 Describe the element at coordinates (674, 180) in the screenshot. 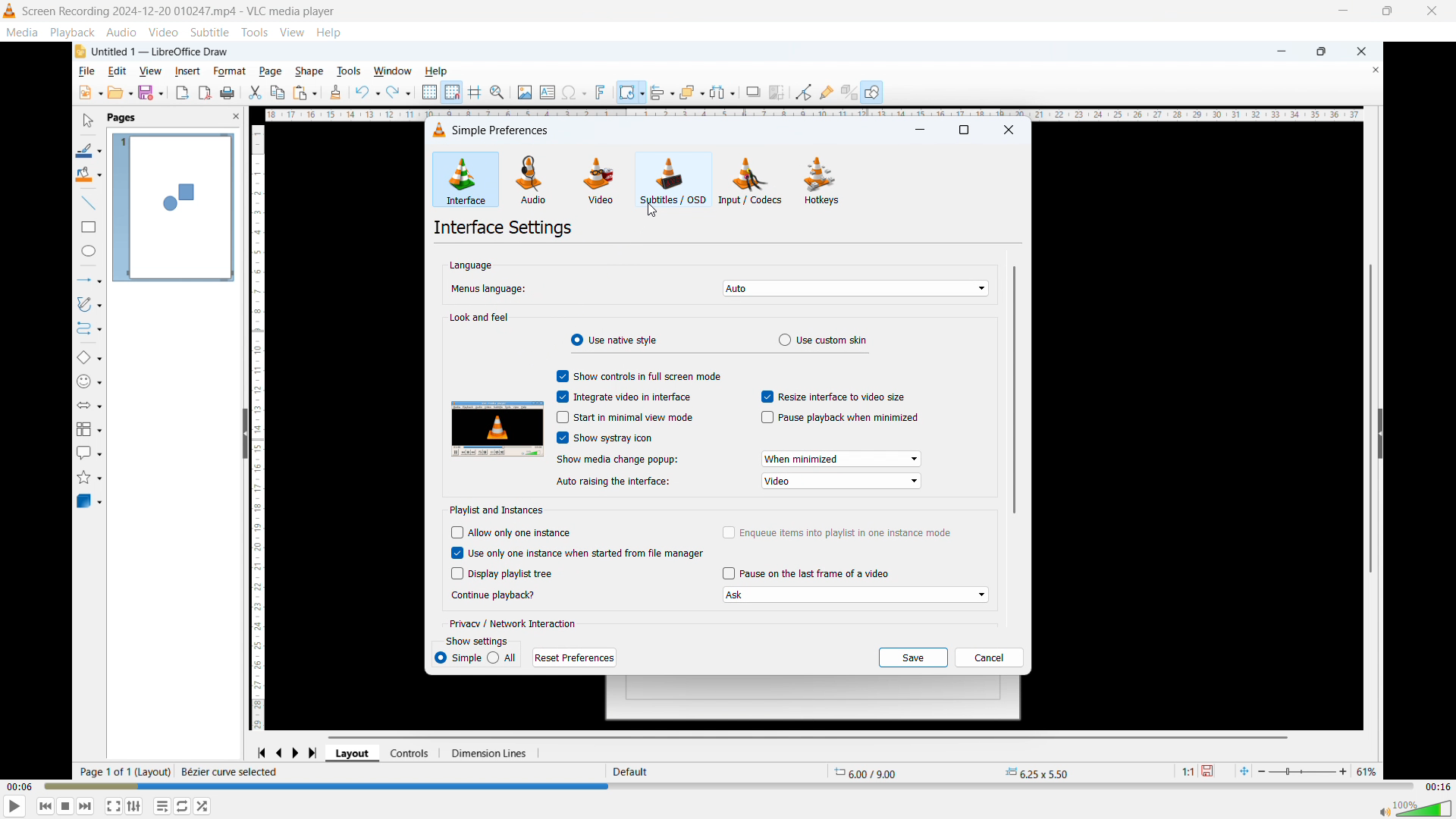

I see `Subtitles or OSD ` at that location.